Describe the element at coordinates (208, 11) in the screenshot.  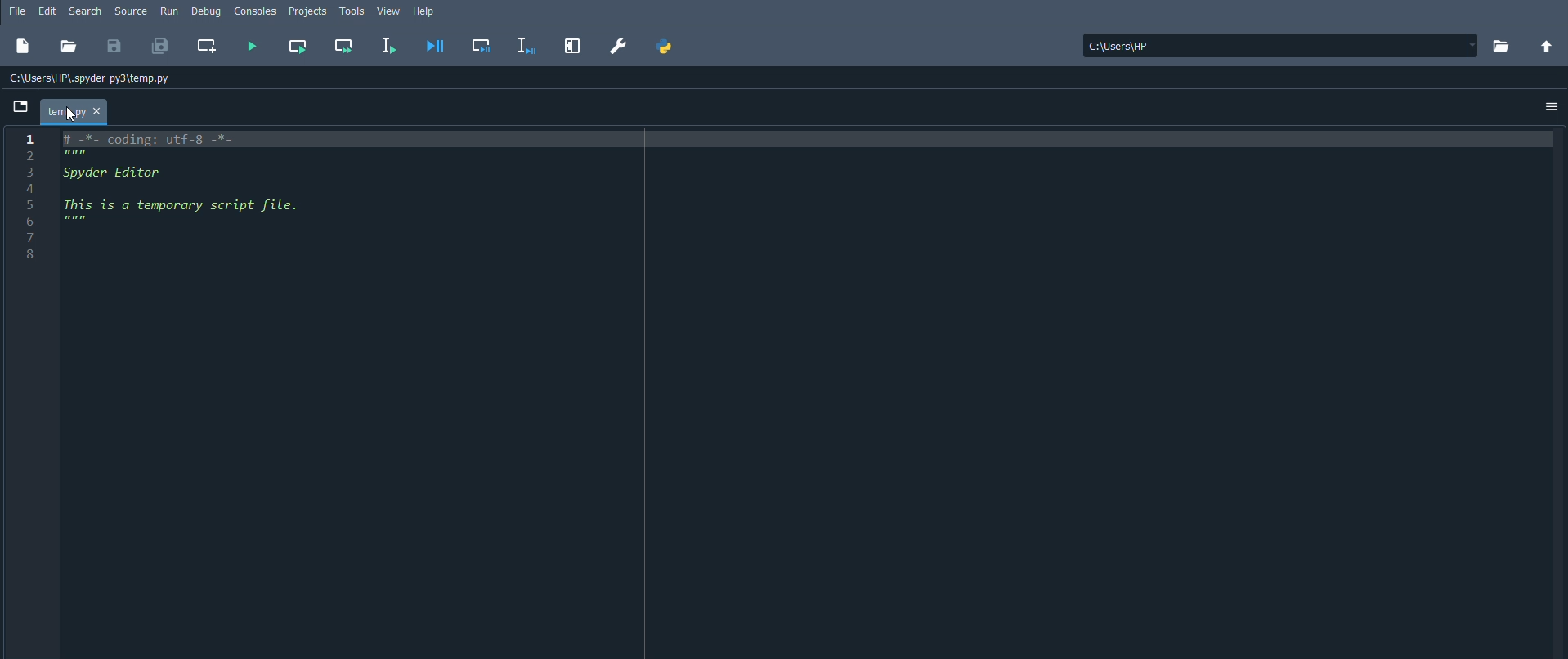
I see `Debug` at that location.